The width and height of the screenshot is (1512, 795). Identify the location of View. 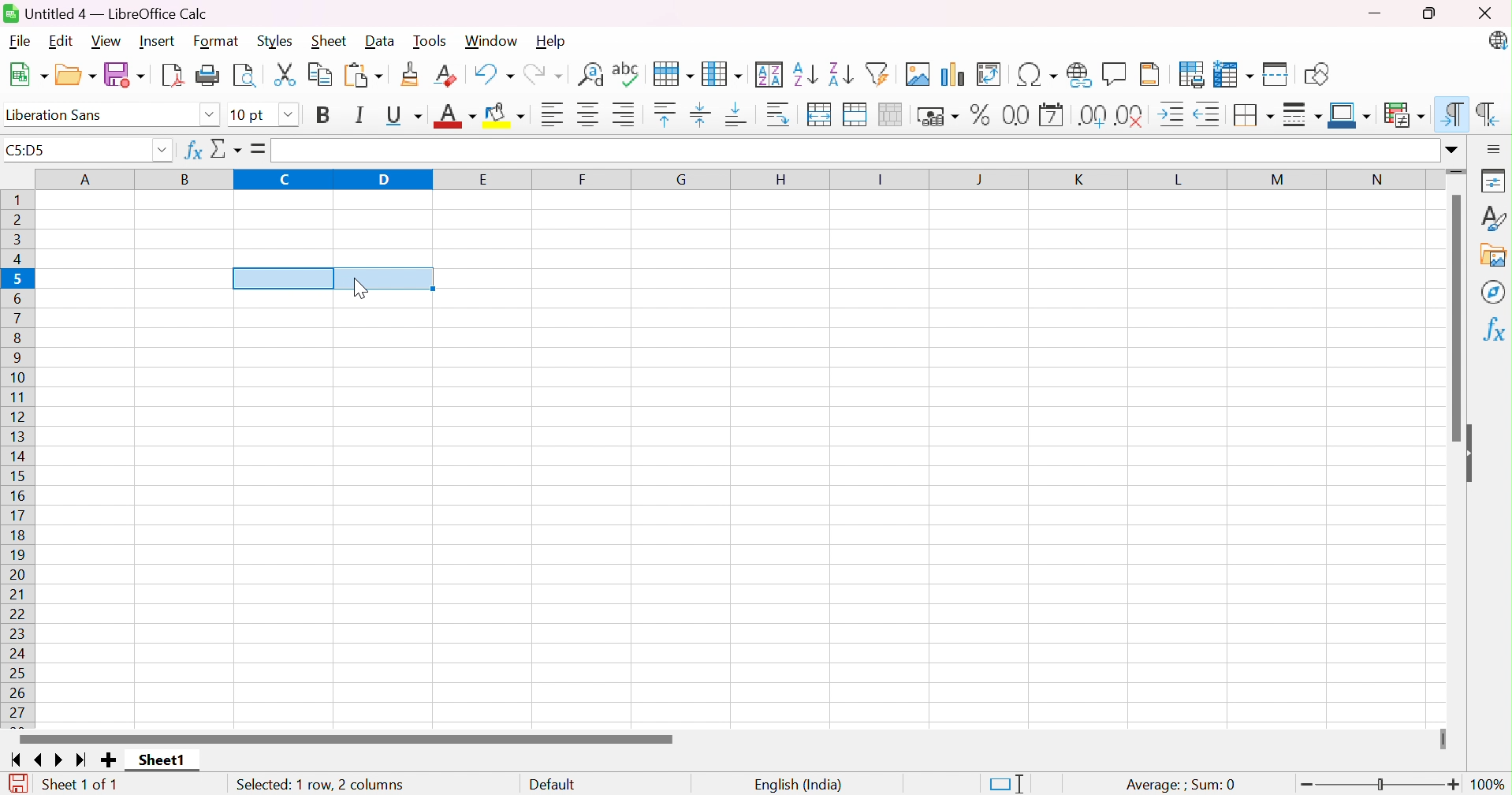
(110, 41).